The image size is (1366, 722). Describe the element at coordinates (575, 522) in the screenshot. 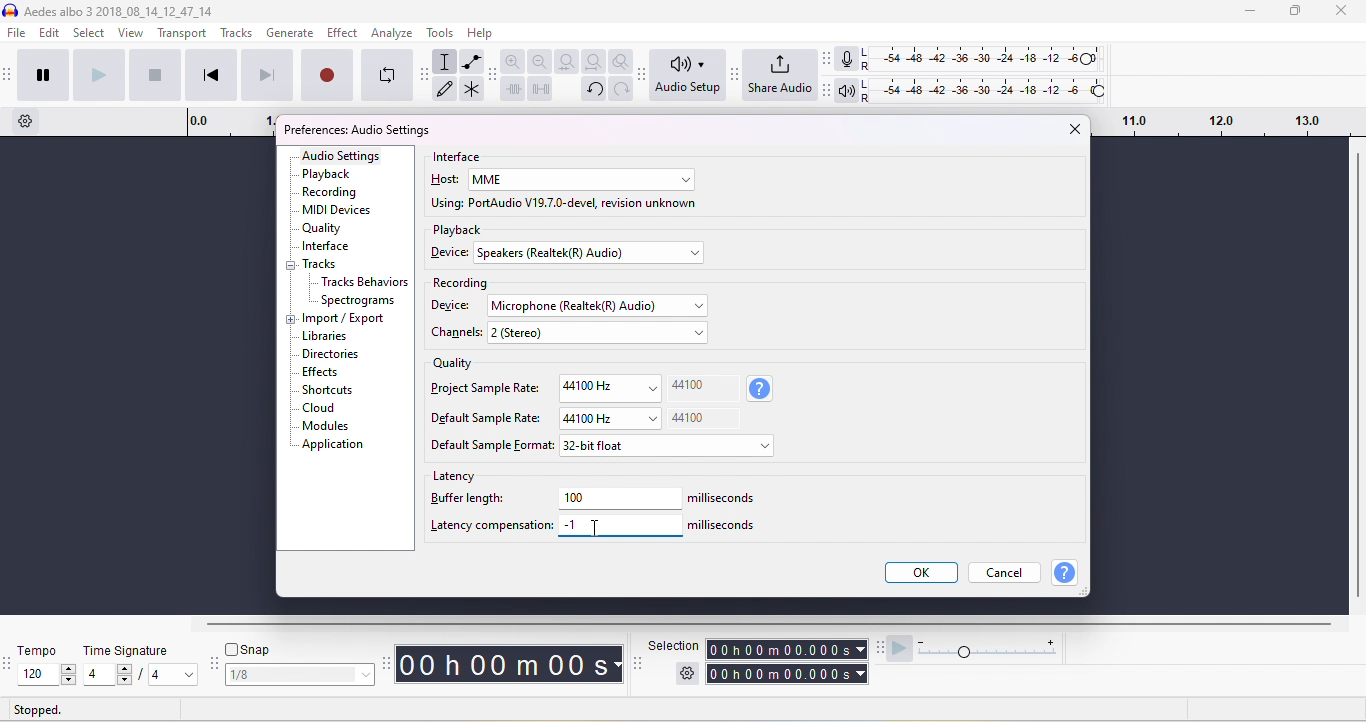

I see `-1` at that location.